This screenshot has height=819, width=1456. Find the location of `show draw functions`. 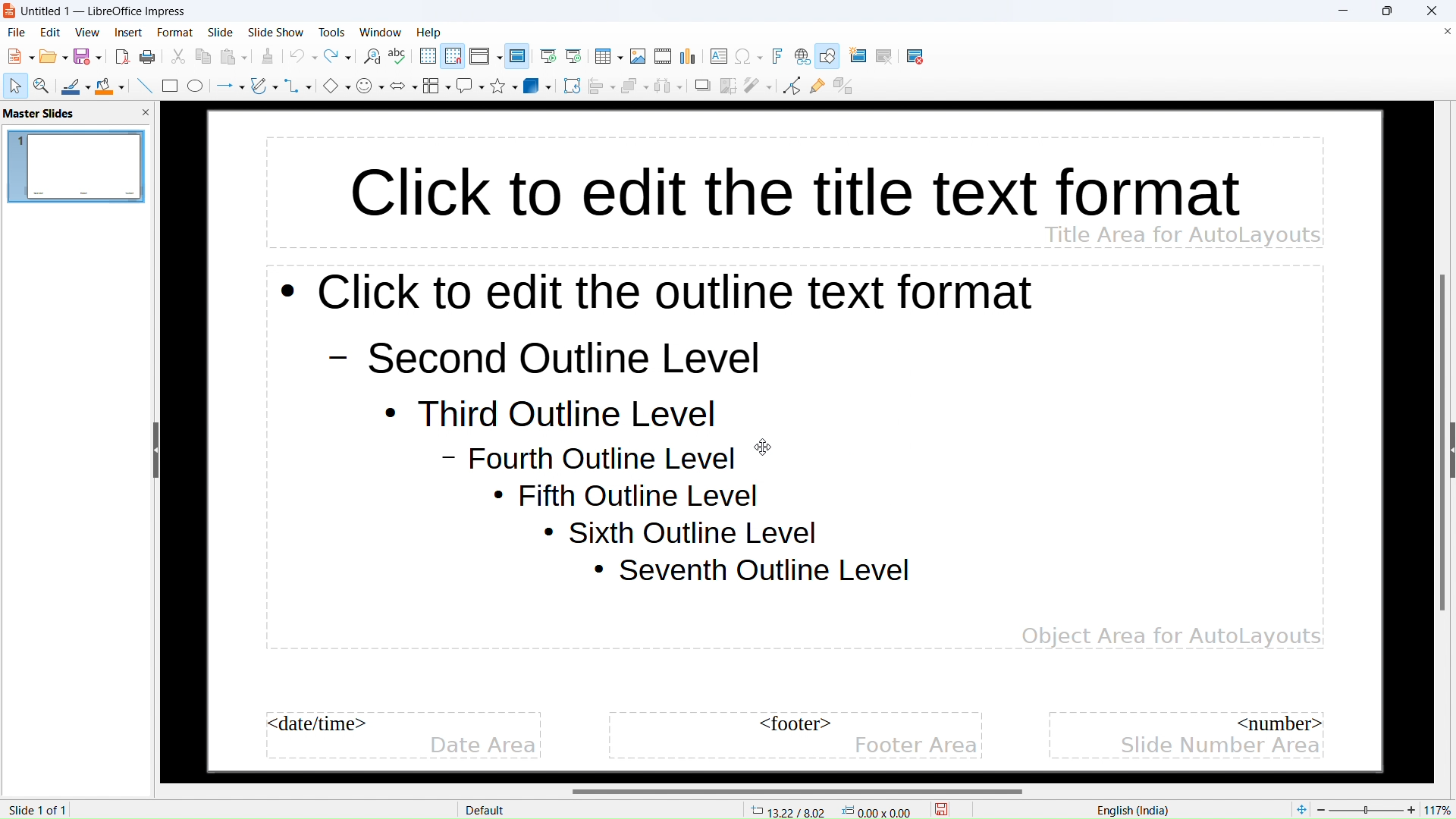

show draw functions is located at coordinates (828, 56).